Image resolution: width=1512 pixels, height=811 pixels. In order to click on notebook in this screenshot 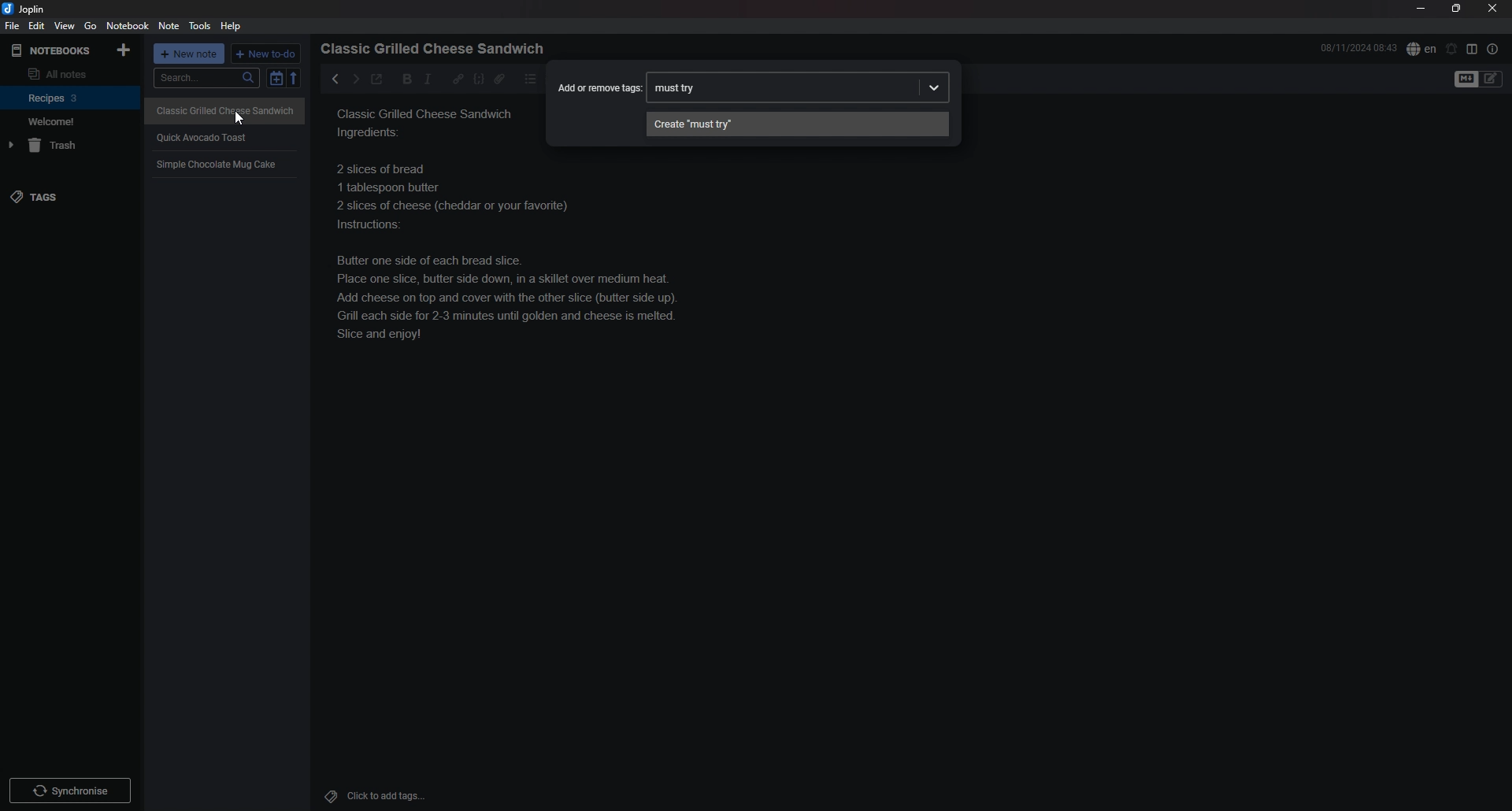, I will do `click(69, 121)`.